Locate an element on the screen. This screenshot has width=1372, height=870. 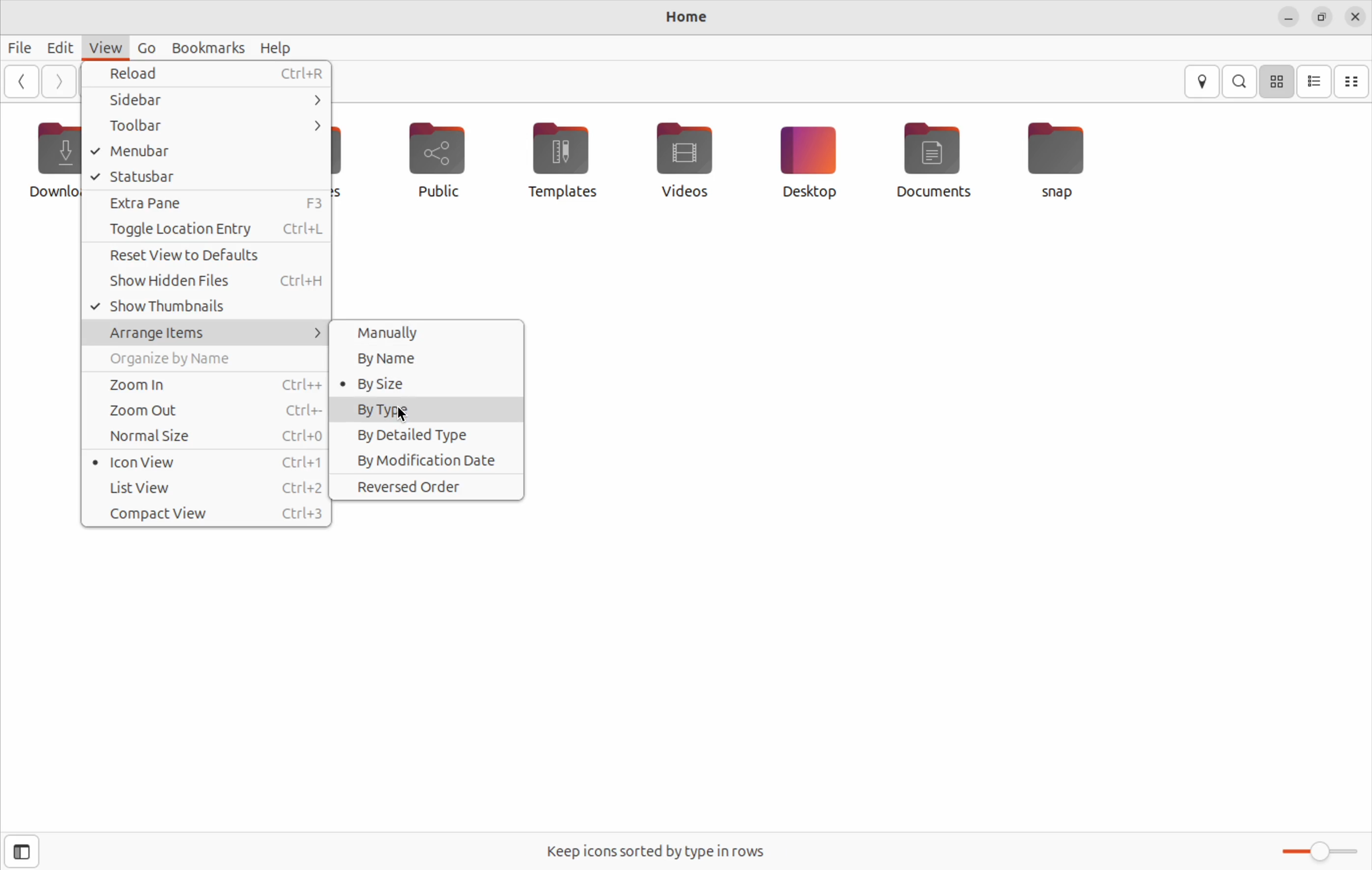
zomm in is located at coordinates (205, 383).